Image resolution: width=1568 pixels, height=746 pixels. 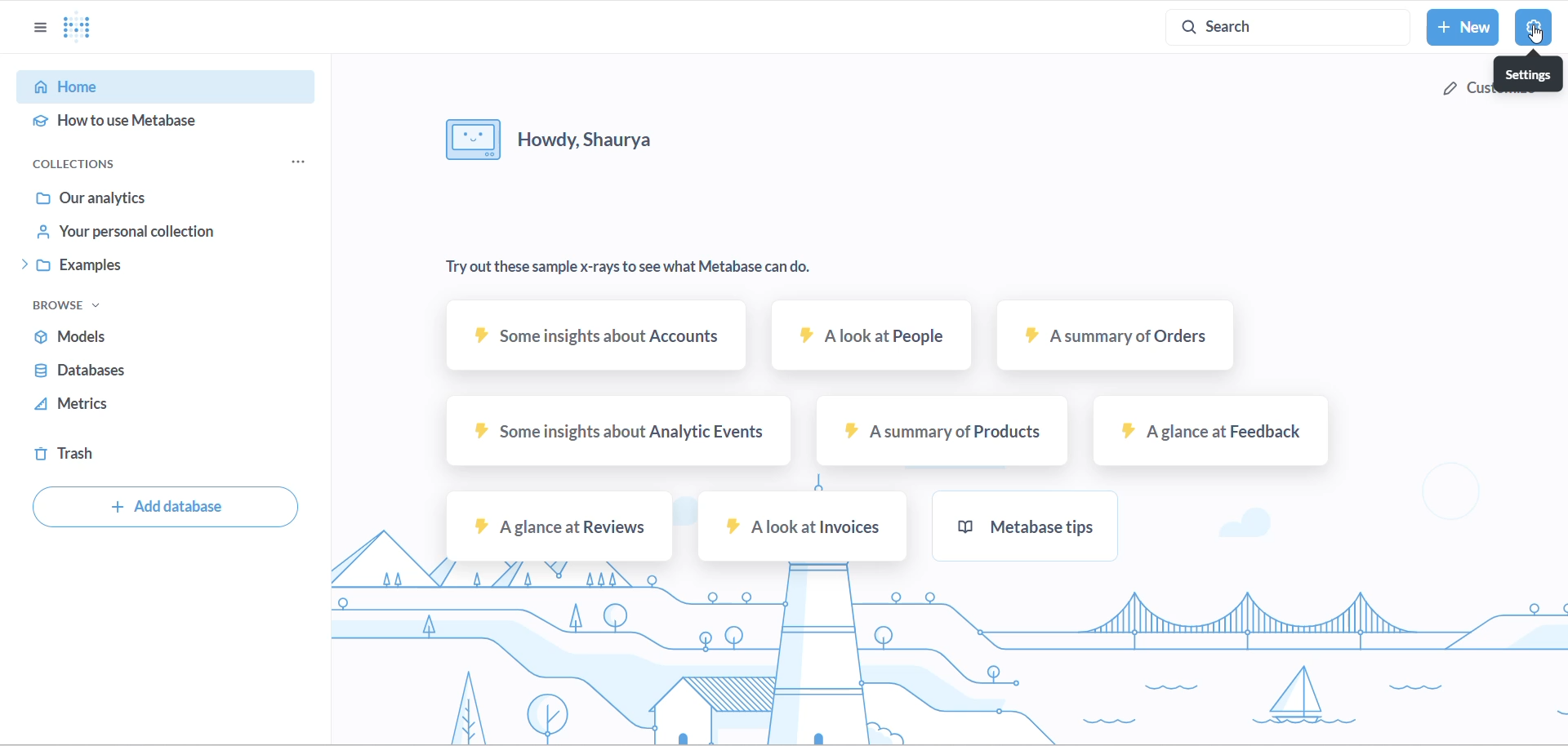 What do you see at coordinates (1026, 526) in the screenshot?
I see `metabase tips sample` at bounding box center [1026, 526].